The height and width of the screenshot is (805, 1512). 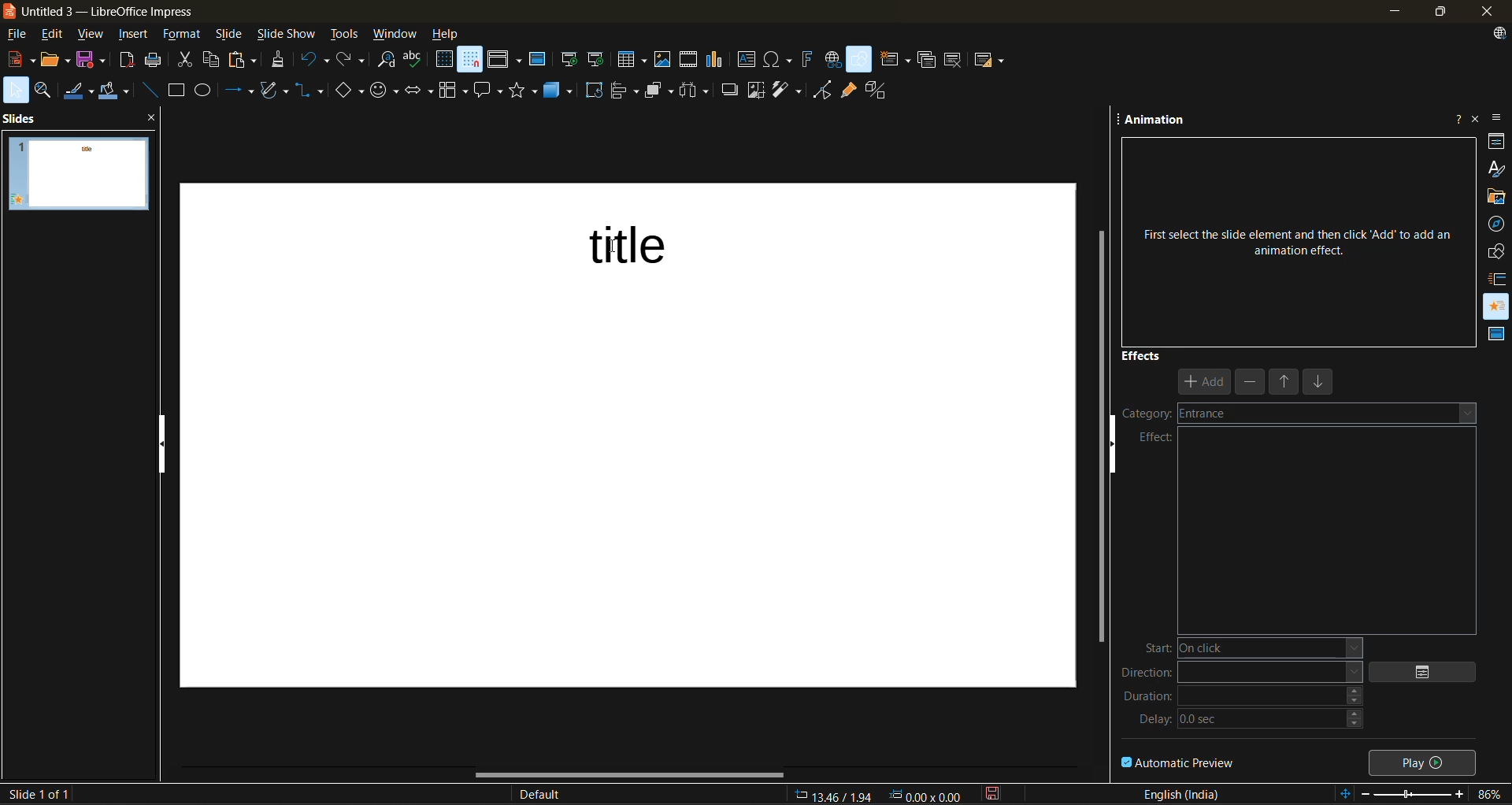 I want to click on maximize, so click(x=1437, y=14).